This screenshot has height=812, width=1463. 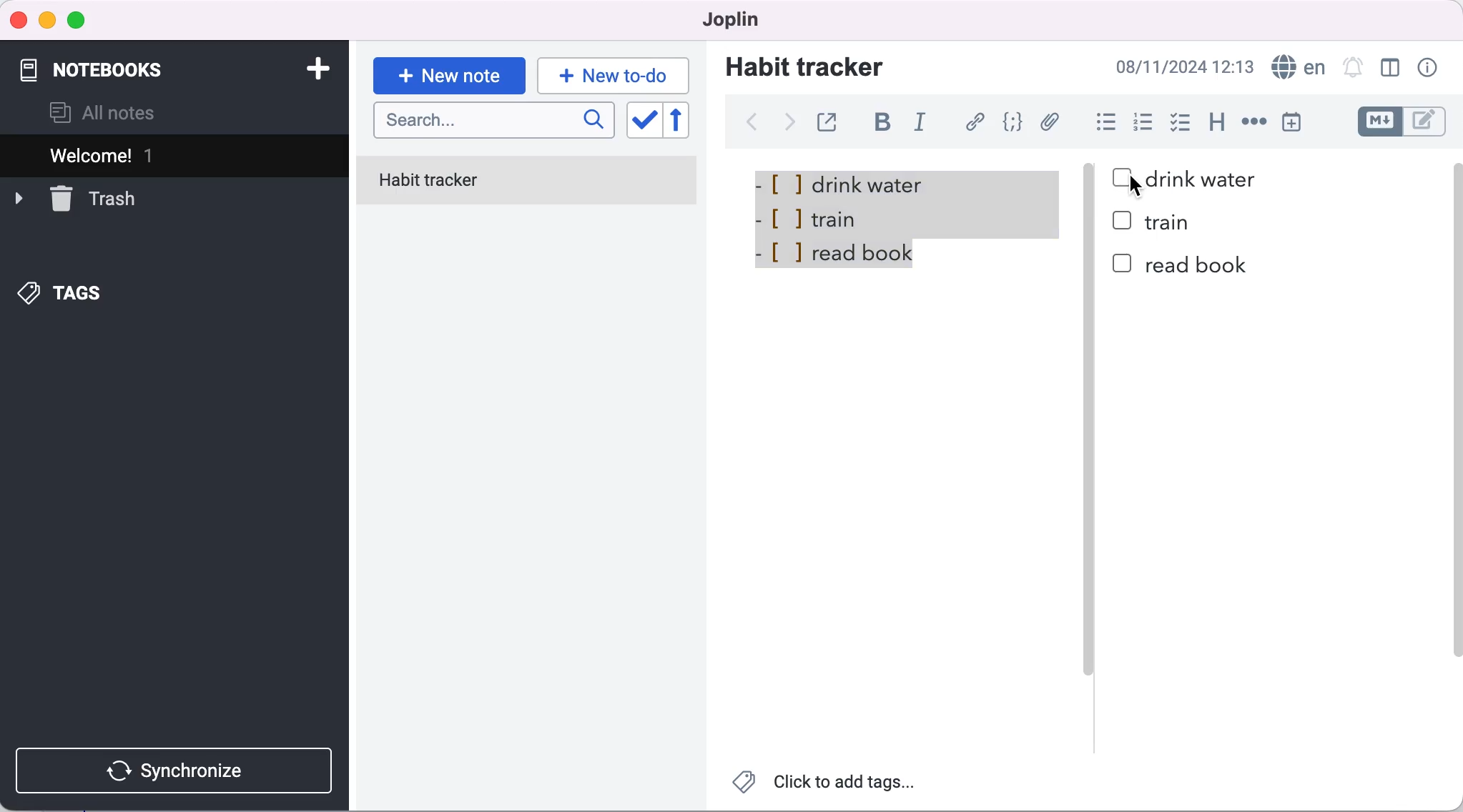 I want to click on hyperlink, so click(x=977, y=122).